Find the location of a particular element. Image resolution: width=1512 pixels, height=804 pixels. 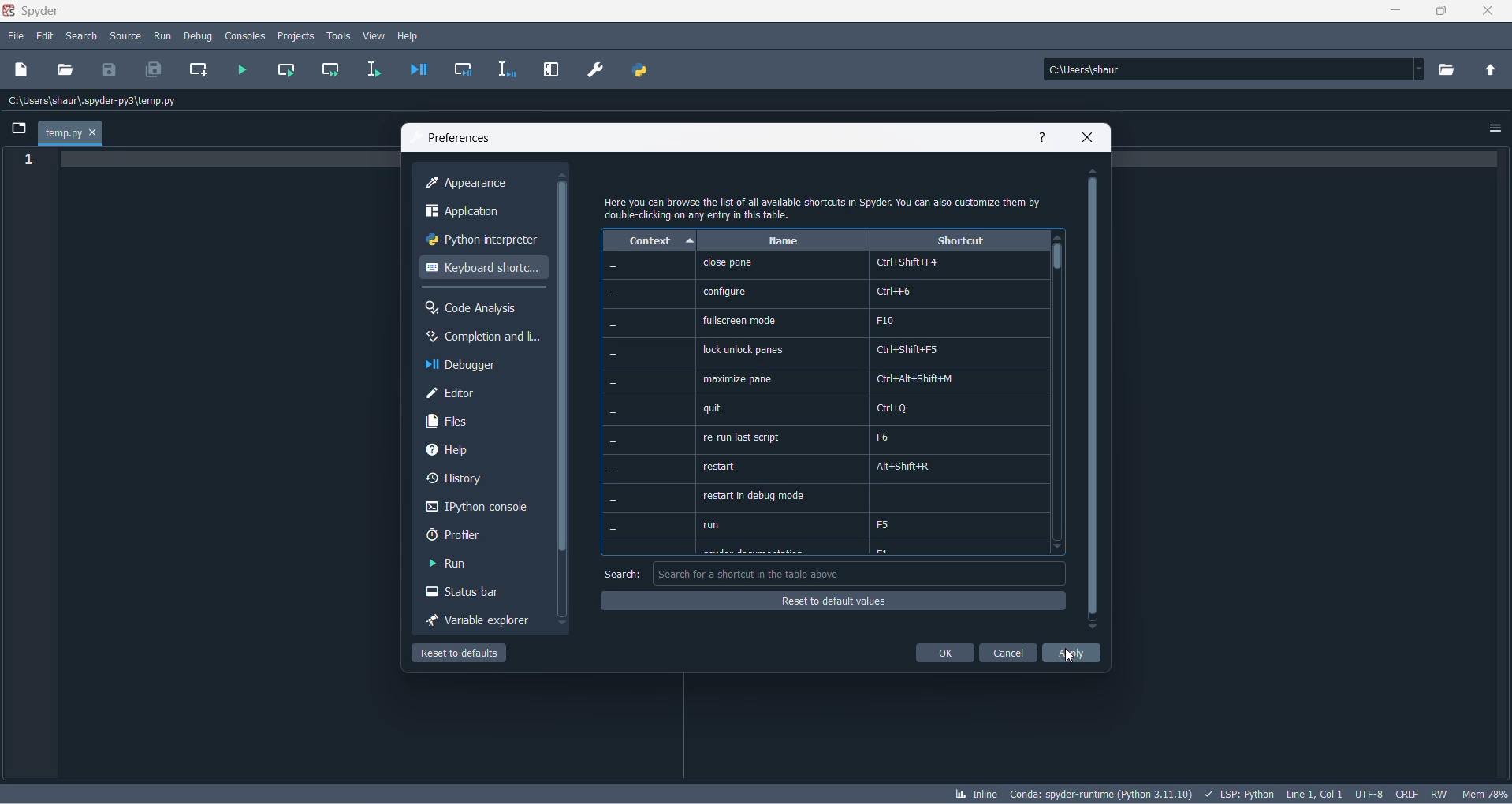

debugger is located at coordinates (483, 366).